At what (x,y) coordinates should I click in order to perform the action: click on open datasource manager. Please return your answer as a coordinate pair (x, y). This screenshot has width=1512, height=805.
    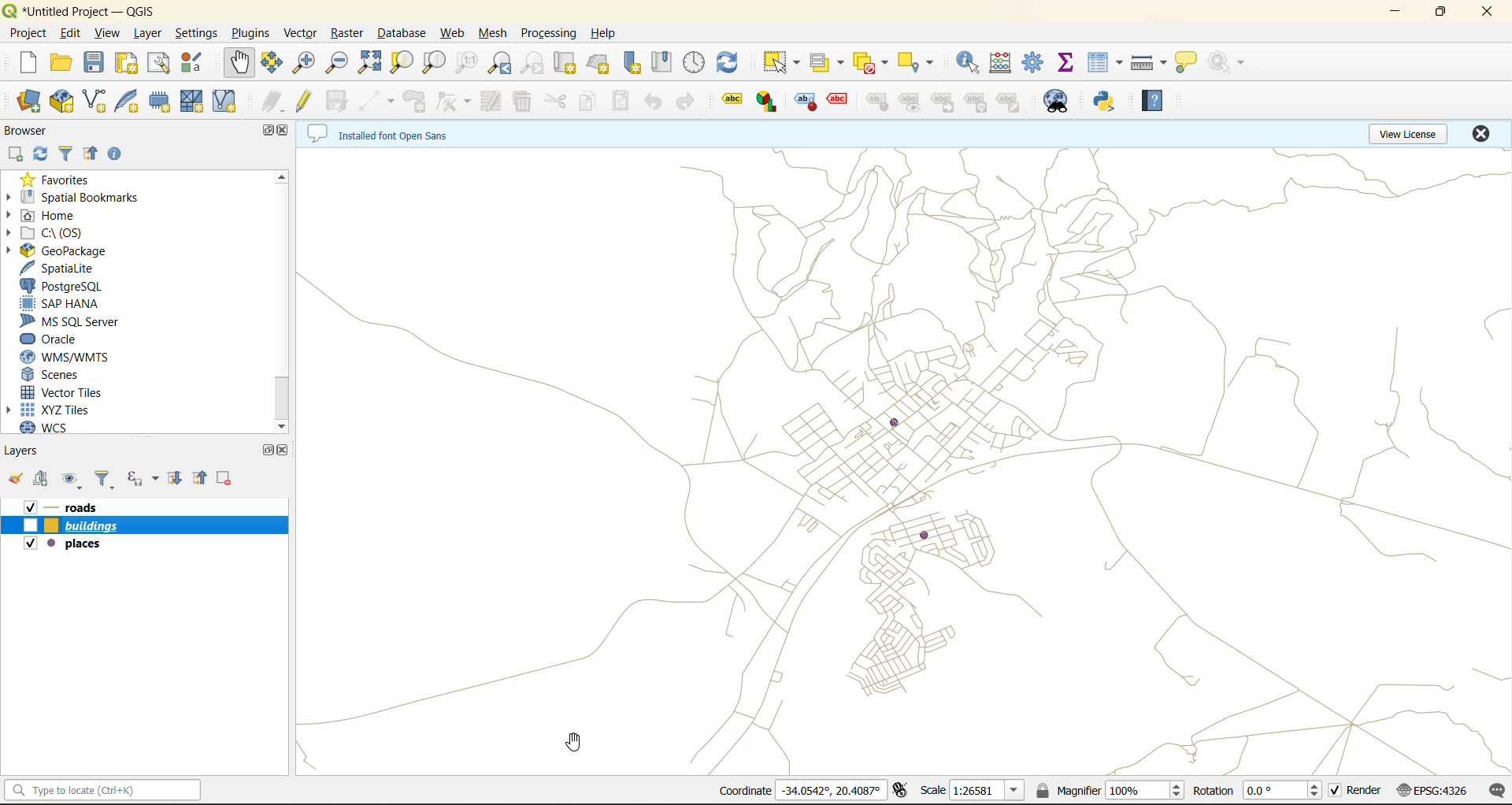
    Looking at the image, I should click on (22, 98).